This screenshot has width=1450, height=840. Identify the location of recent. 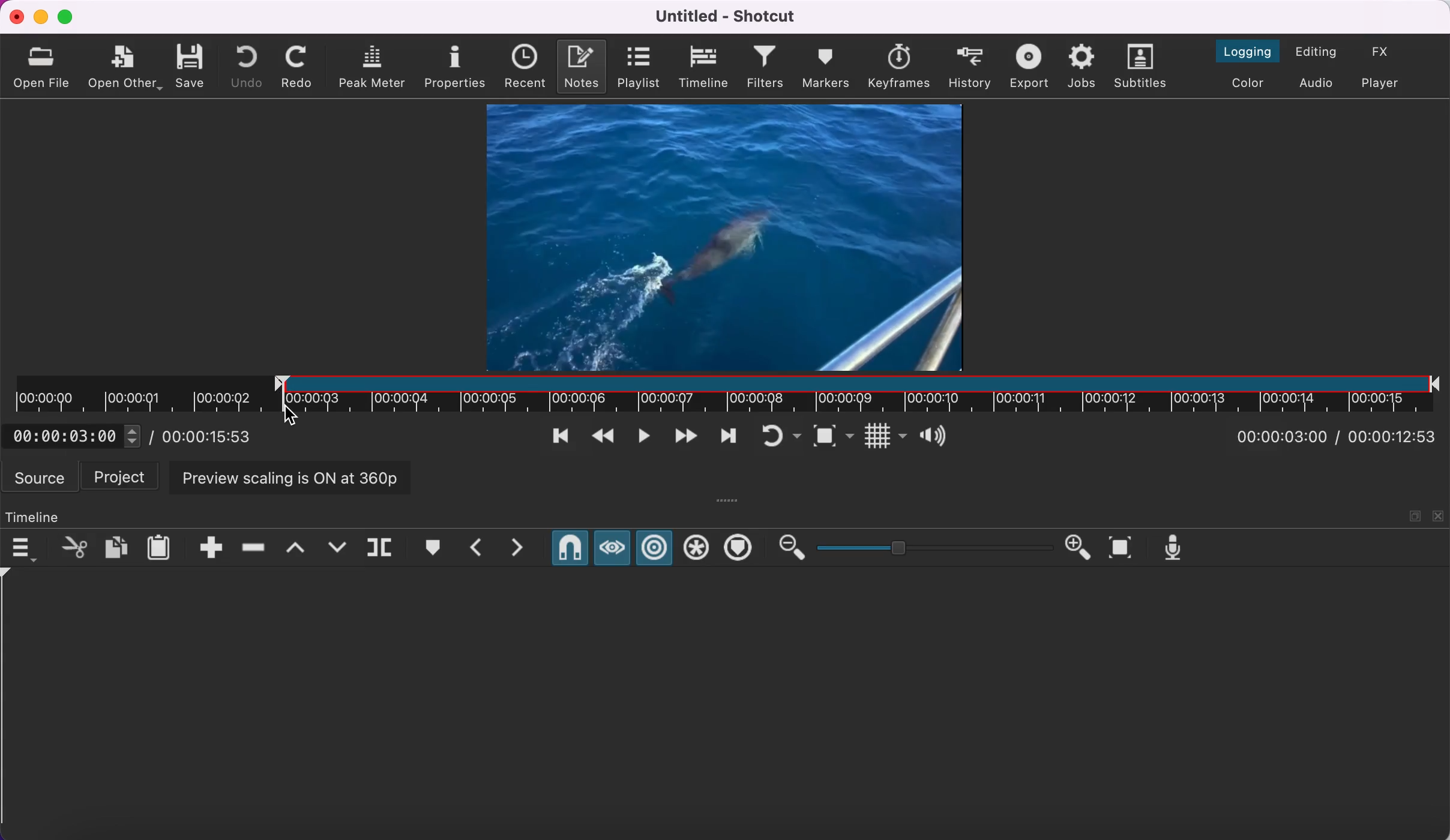
(526, 67).